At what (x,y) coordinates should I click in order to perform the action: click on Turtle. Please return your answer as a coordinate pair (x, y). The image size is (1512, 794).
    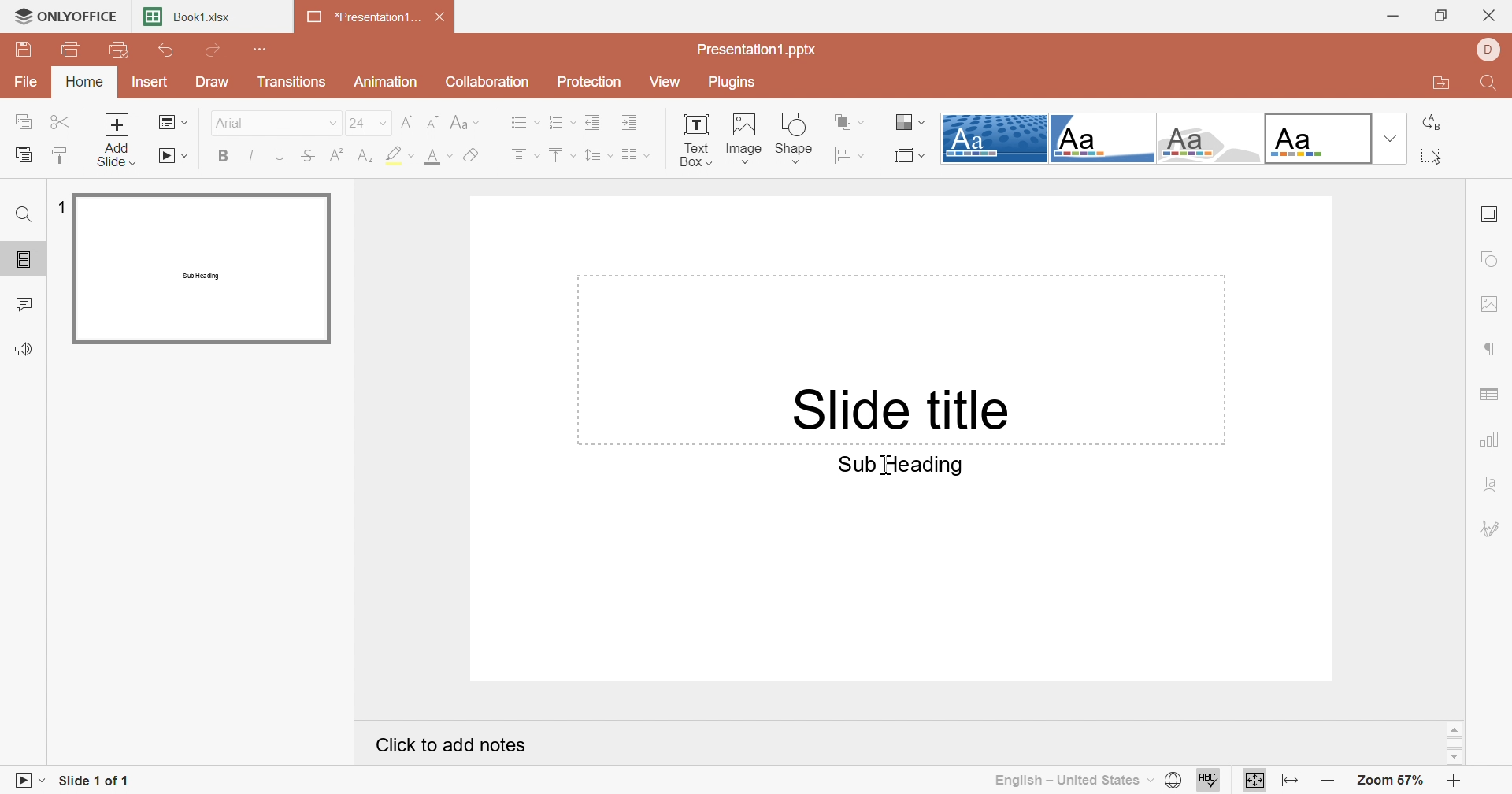
    Looking at the image, I should click on (1210, 139).